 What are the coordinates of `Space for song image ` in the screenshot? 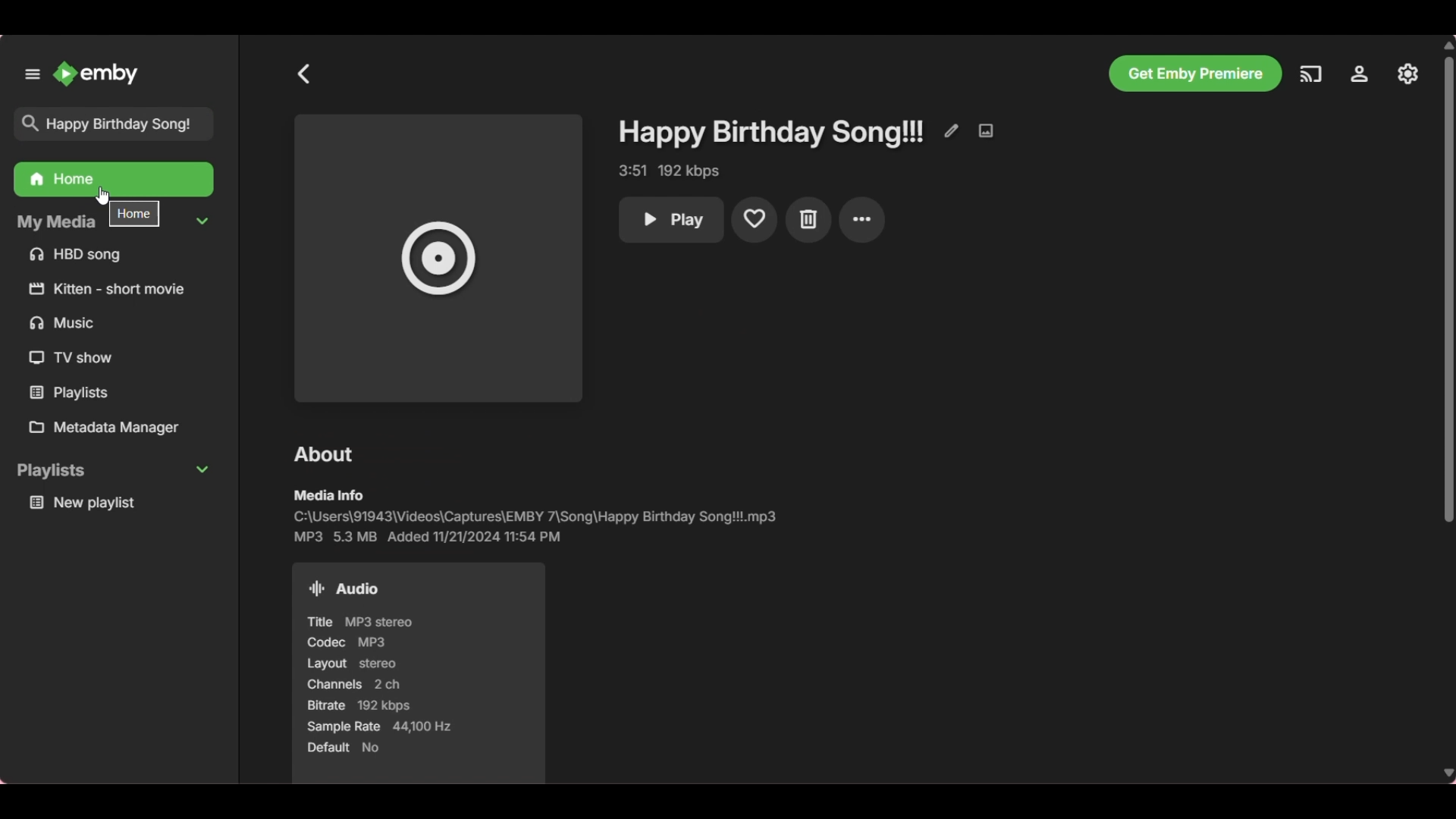 It's located at (439, 259).